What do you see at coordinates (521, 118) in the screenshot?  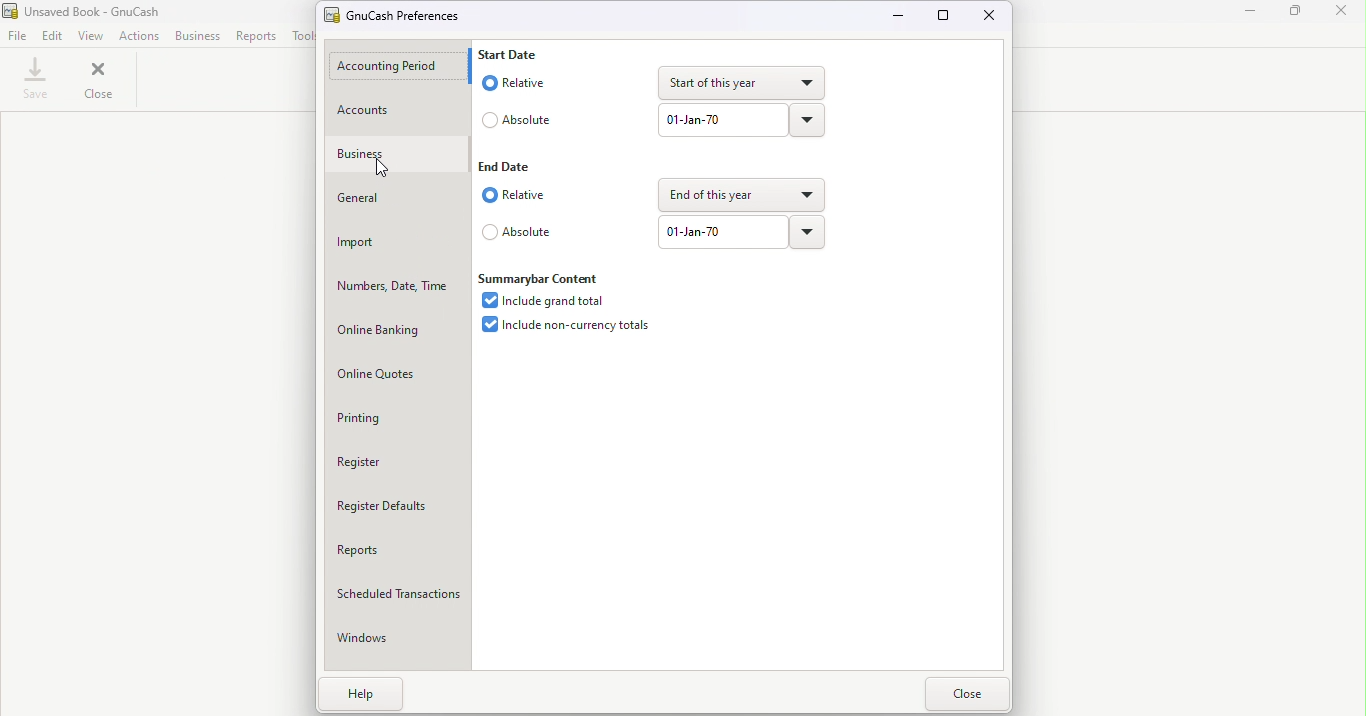 I see `Absolute` at bounding box center [521, 118].